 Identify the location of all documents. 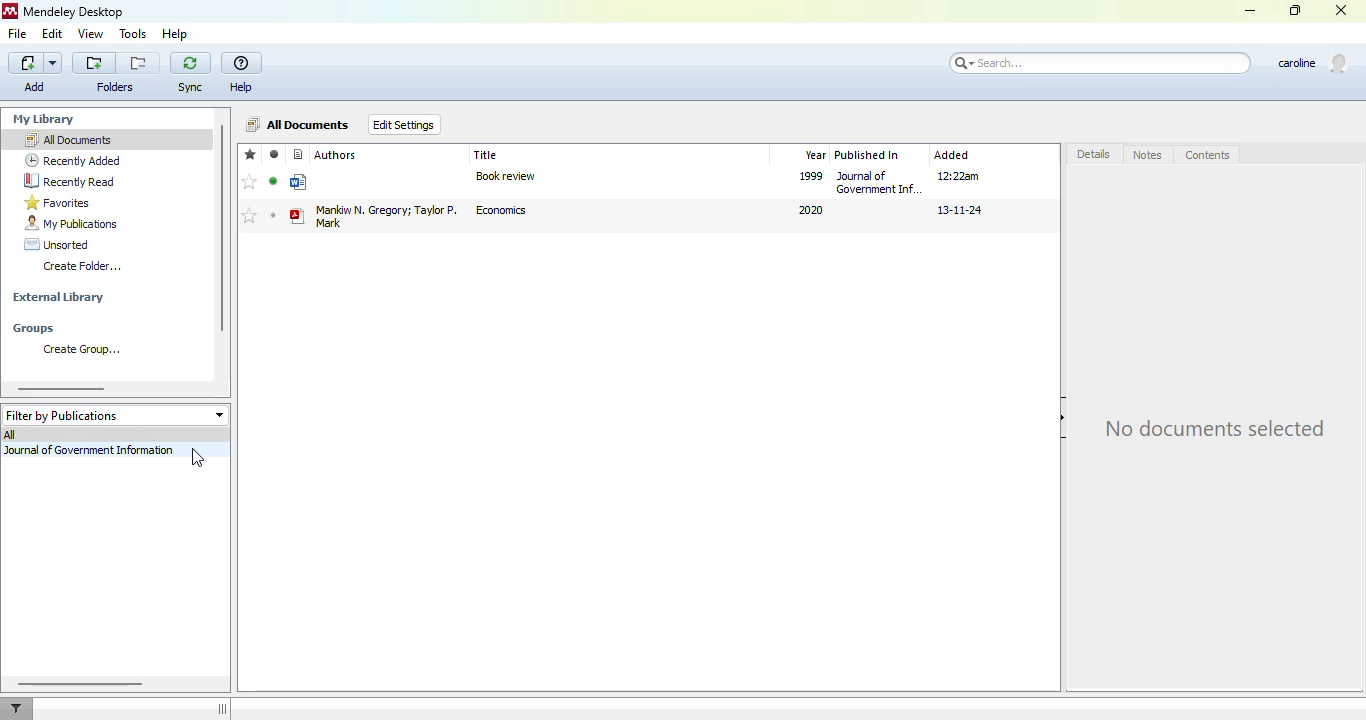
(300, 124).